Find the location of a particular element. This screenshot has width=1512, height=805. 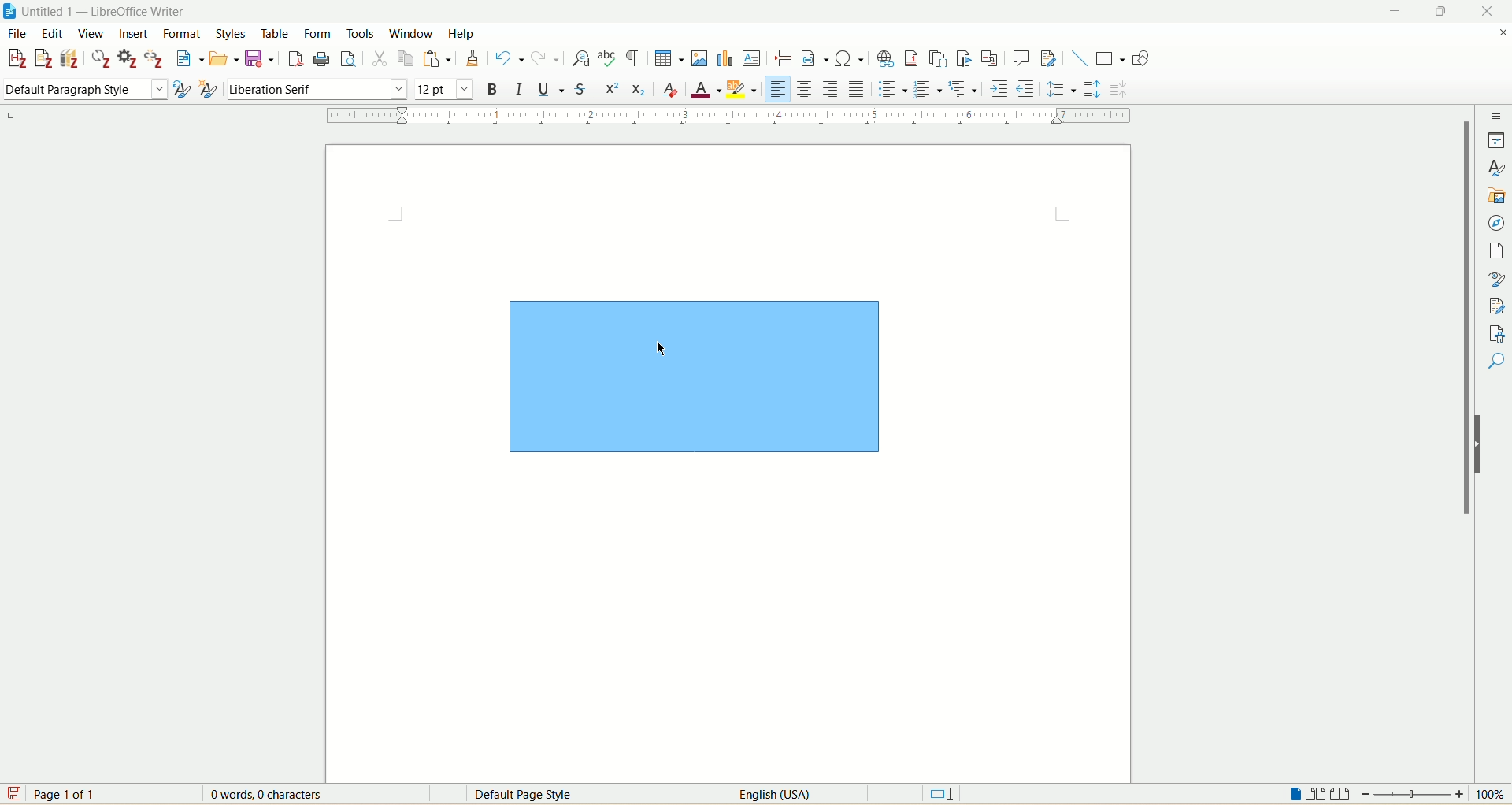

superscript is located at coordinates (609, 89).